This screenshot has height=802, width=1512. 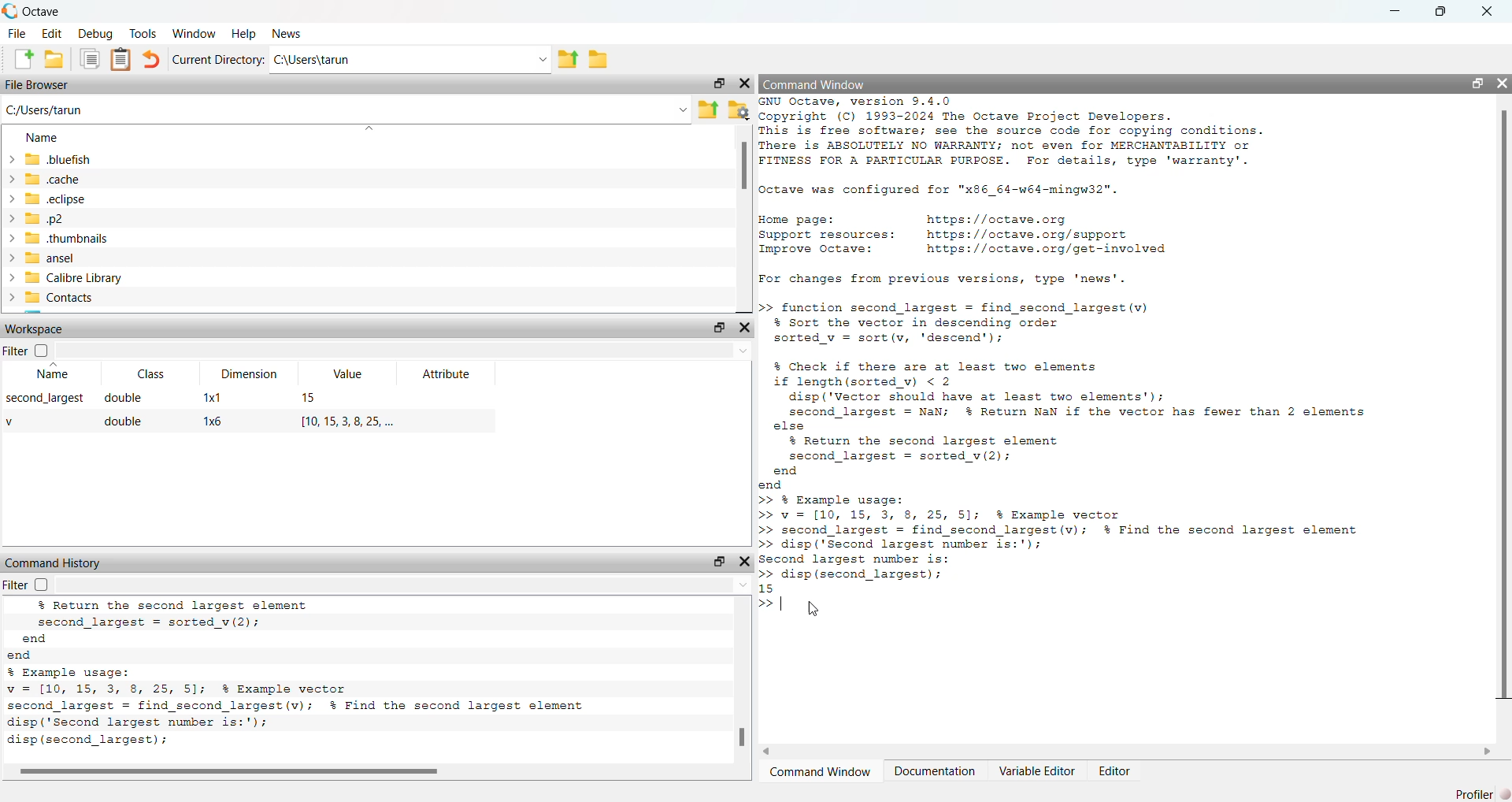 I want to click on file, so click(x=15, y=35).